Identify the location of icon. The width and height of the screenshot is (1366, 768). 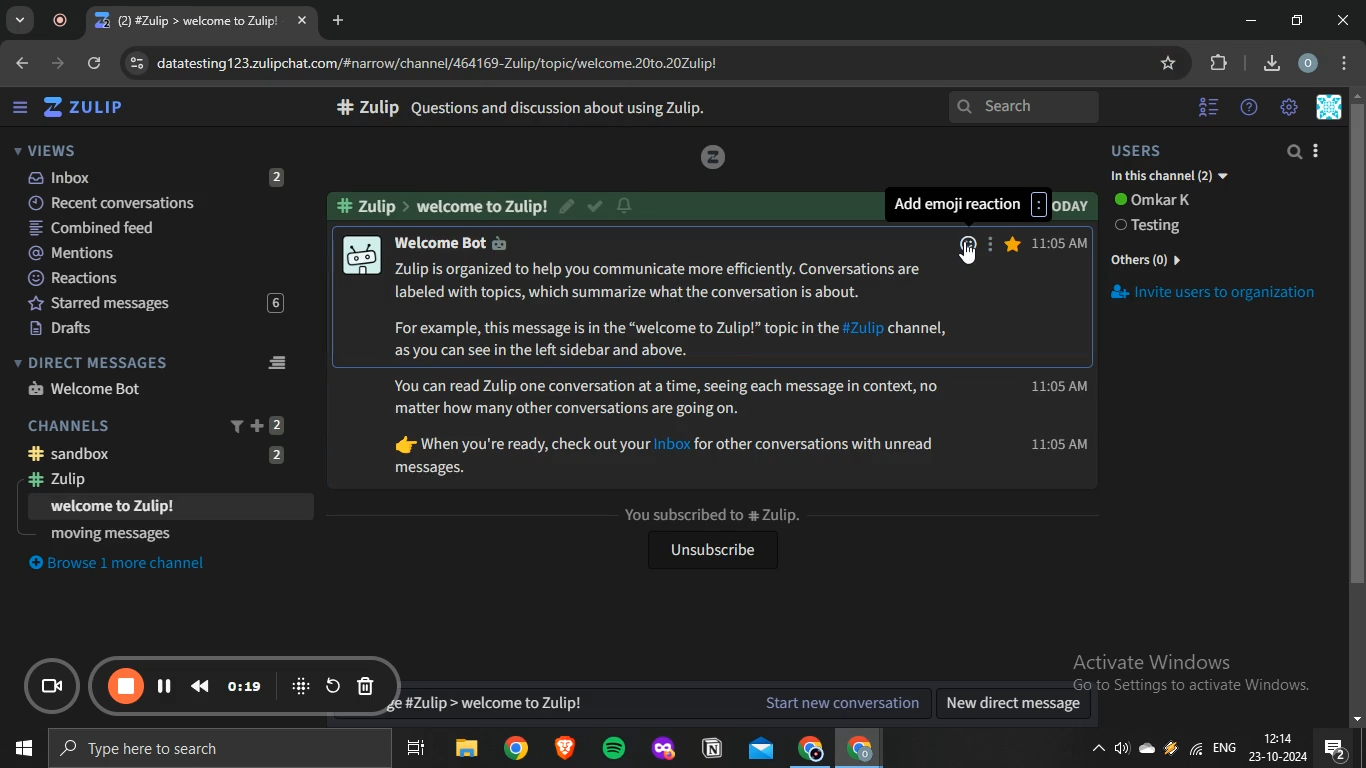
(55, 688).